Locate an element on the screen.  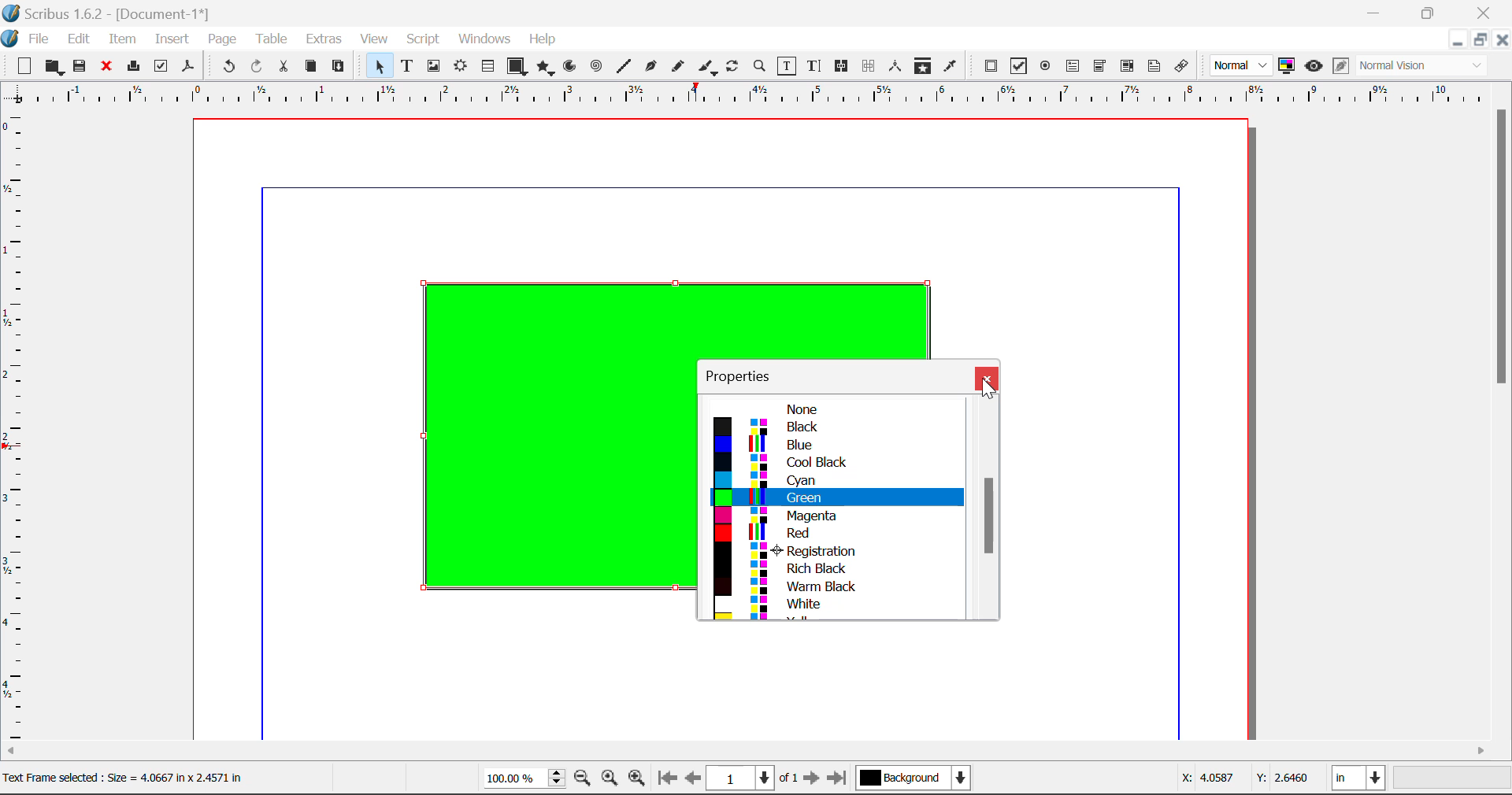
Table is located at coordinates (271, 38).